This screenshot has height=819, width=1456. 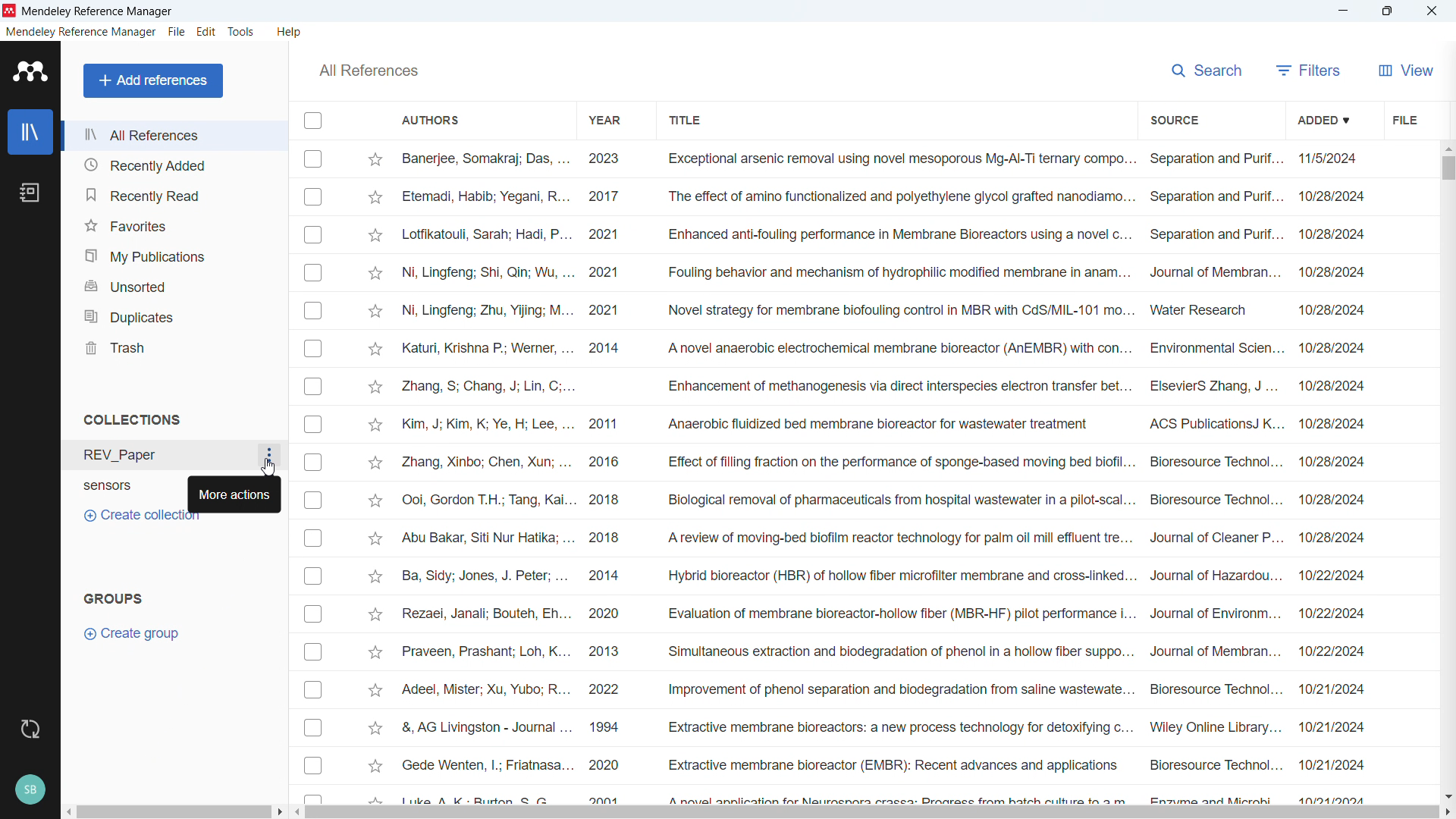 What do you see at coordinates (886, 271) in the screenshot?
I see `Ni, Lingfeng; Shi, Qin; Wu, ... 2021 Fouling behavior and mechanism of hydrophilic modified membrane in anam... Journal of Membran... 10/28/2024` at bounding box center [886, 271].